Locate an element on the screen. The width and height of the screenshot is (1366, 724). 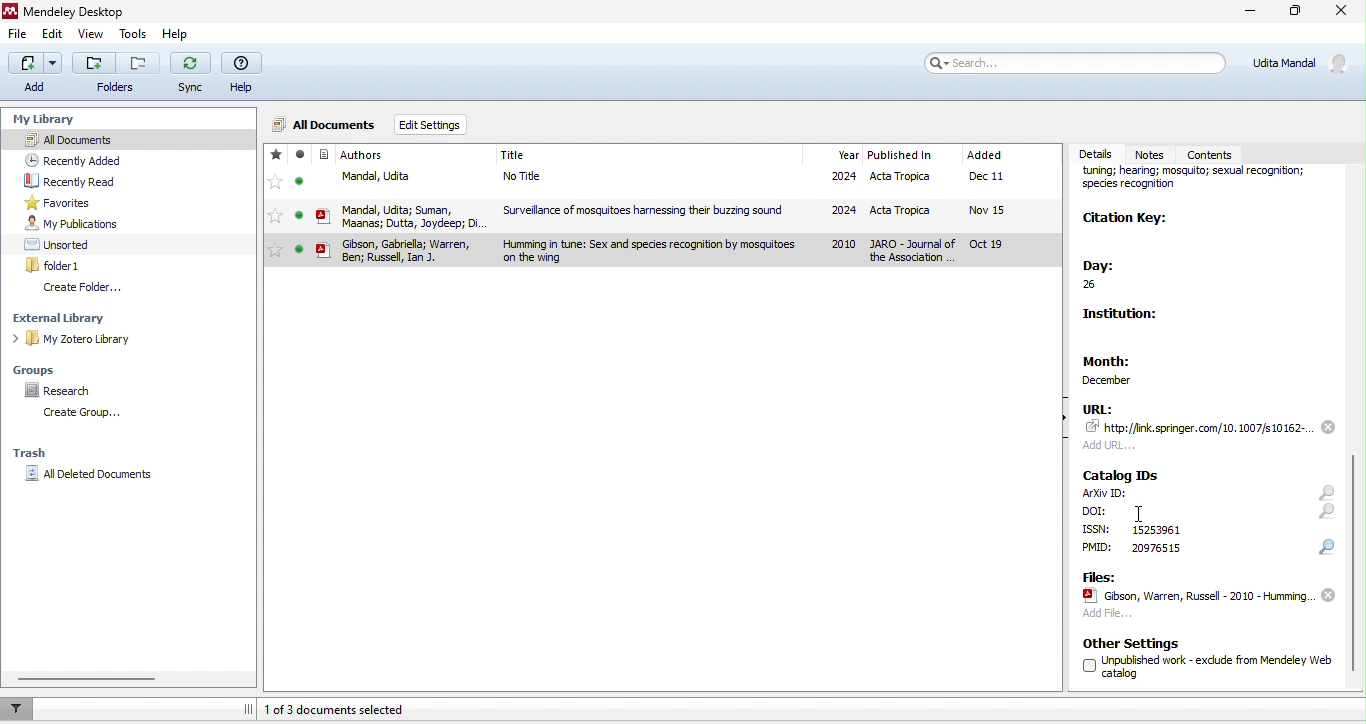
catalog ids is located at coordinates (1122, 475).